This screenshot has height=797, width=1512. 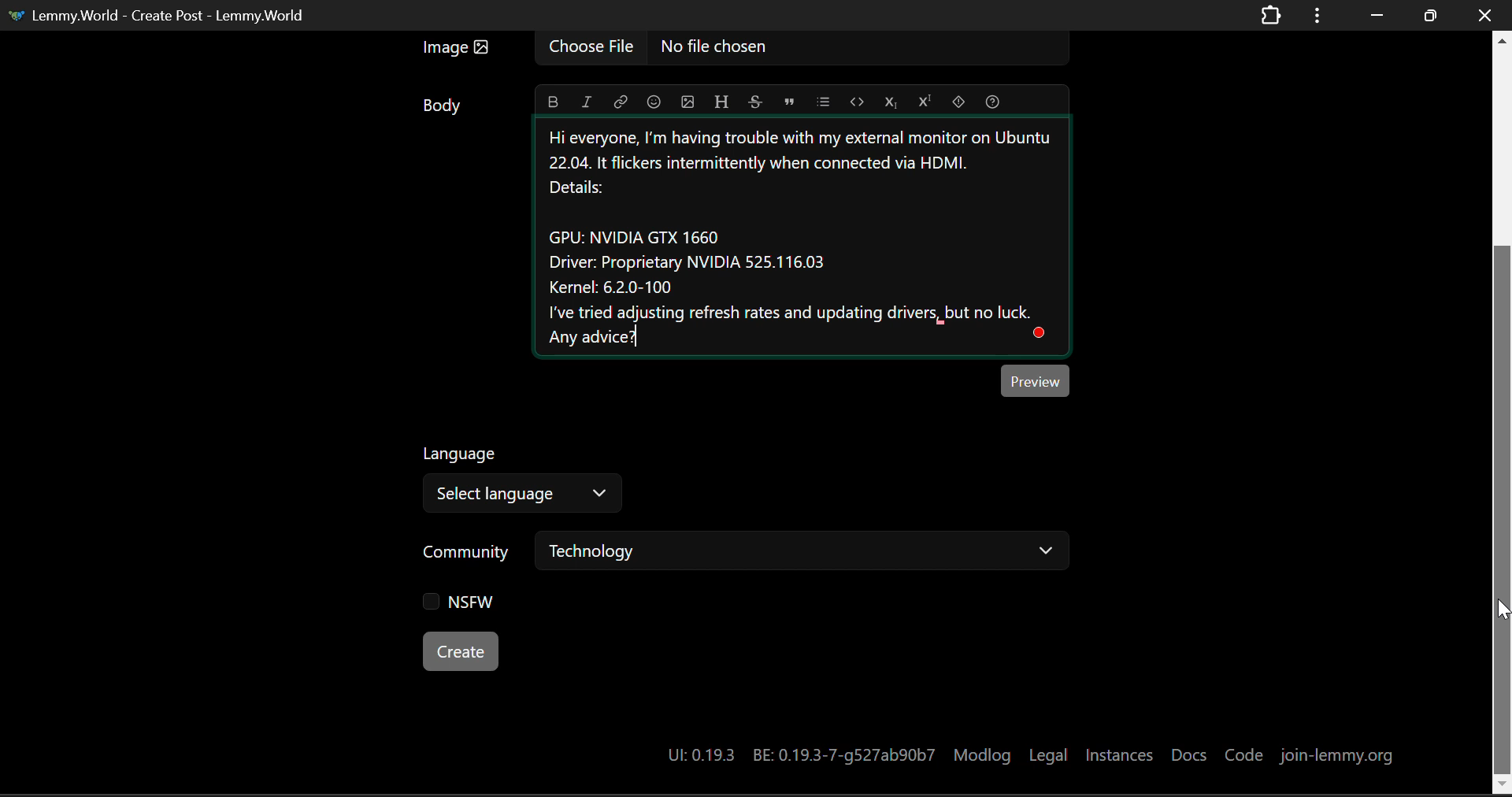 I want to click on Modlog, so click(x=984, y=753).